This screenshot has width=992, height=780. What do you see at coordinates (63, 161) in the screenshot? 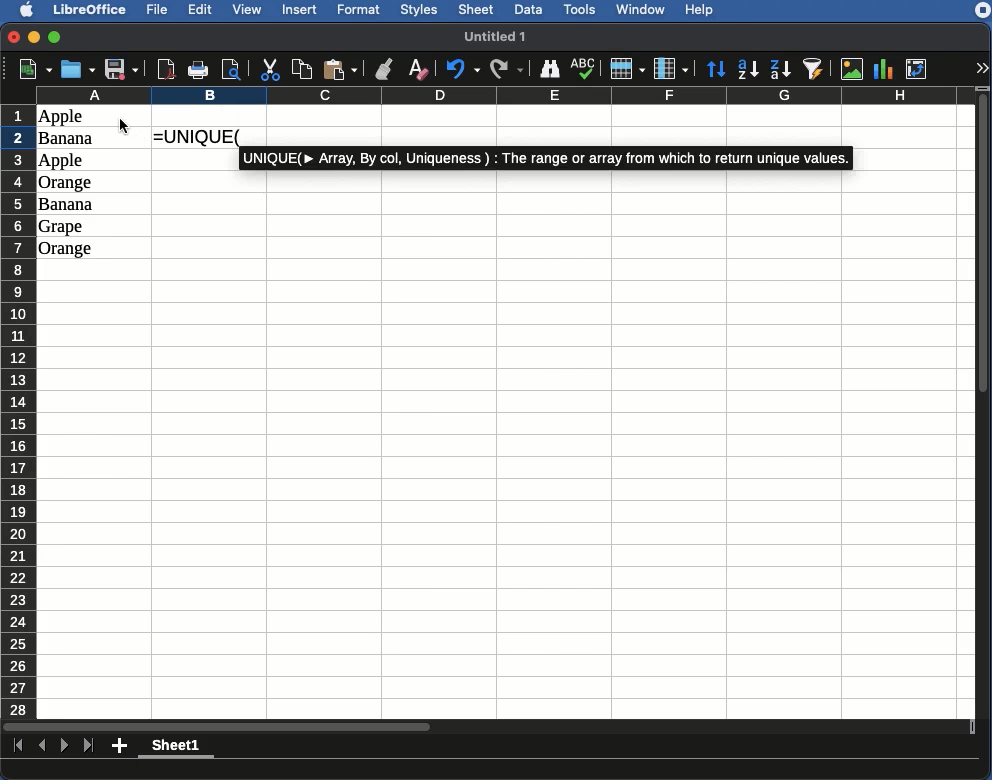
I see `Apple` at bounding box center [63, 161].